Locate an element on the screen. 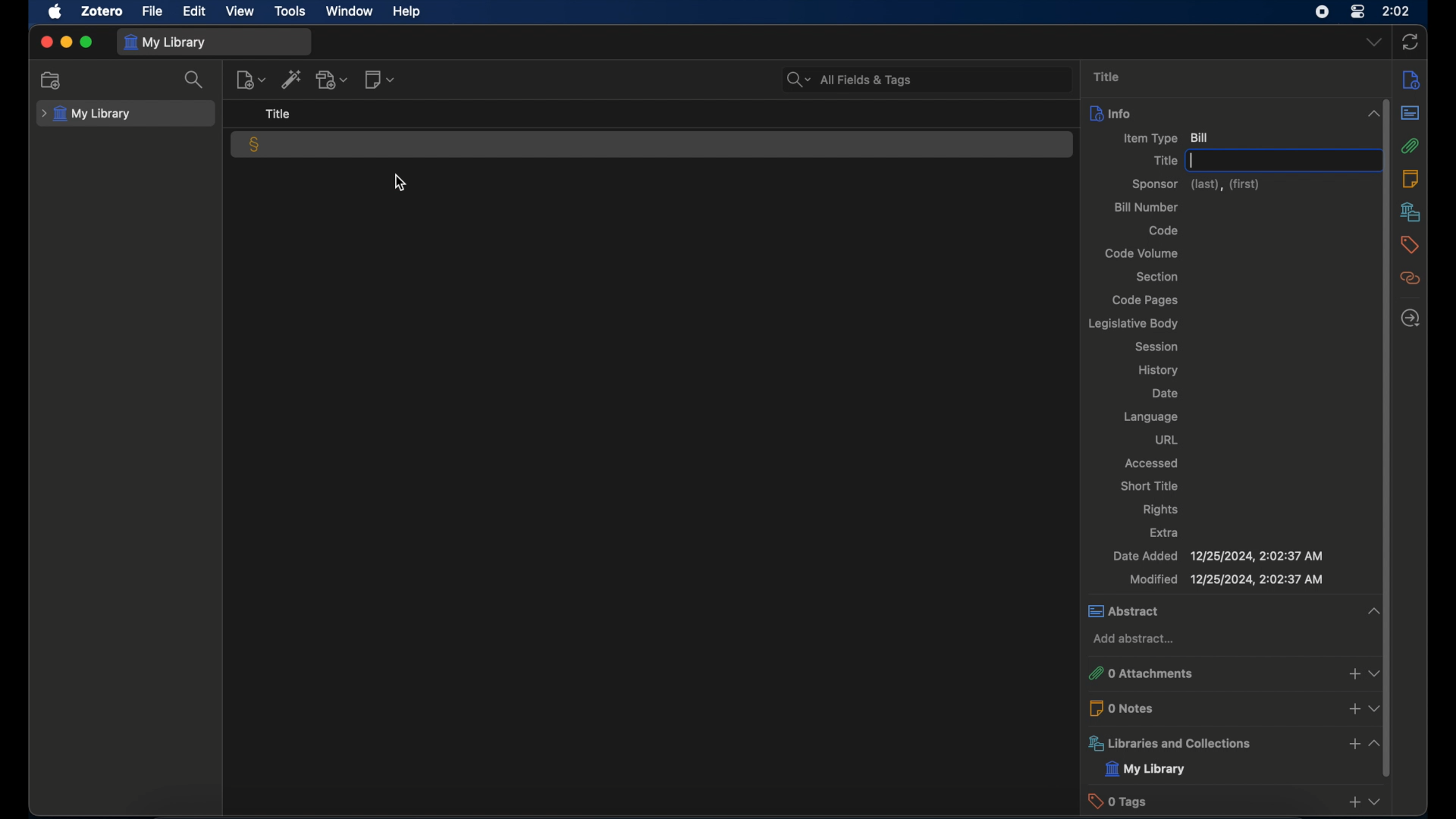  accessed is located at coordinates (1150, 463).